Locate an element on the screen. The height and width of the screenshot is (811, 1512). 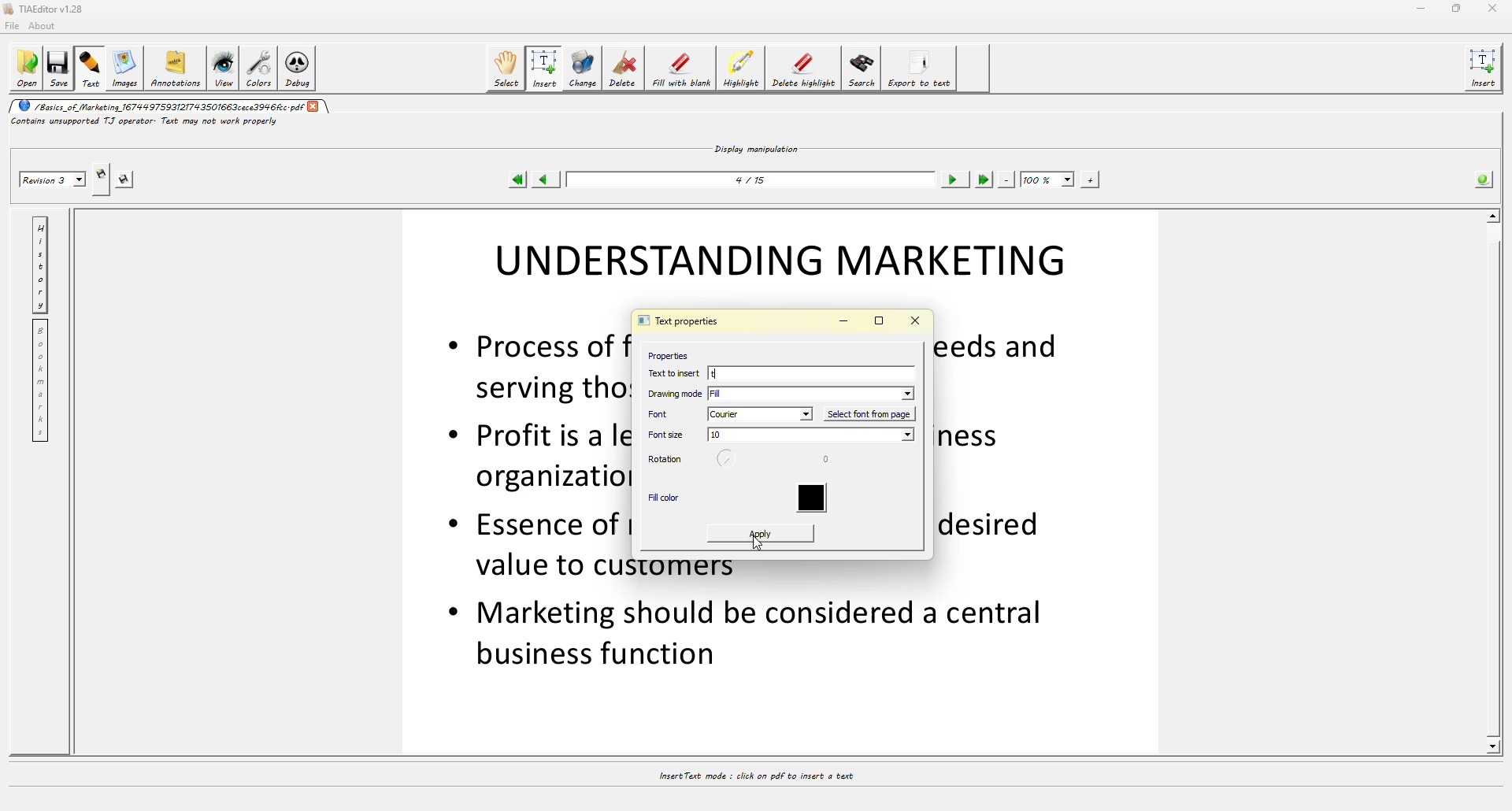
file is located at coordinates (15, 25).